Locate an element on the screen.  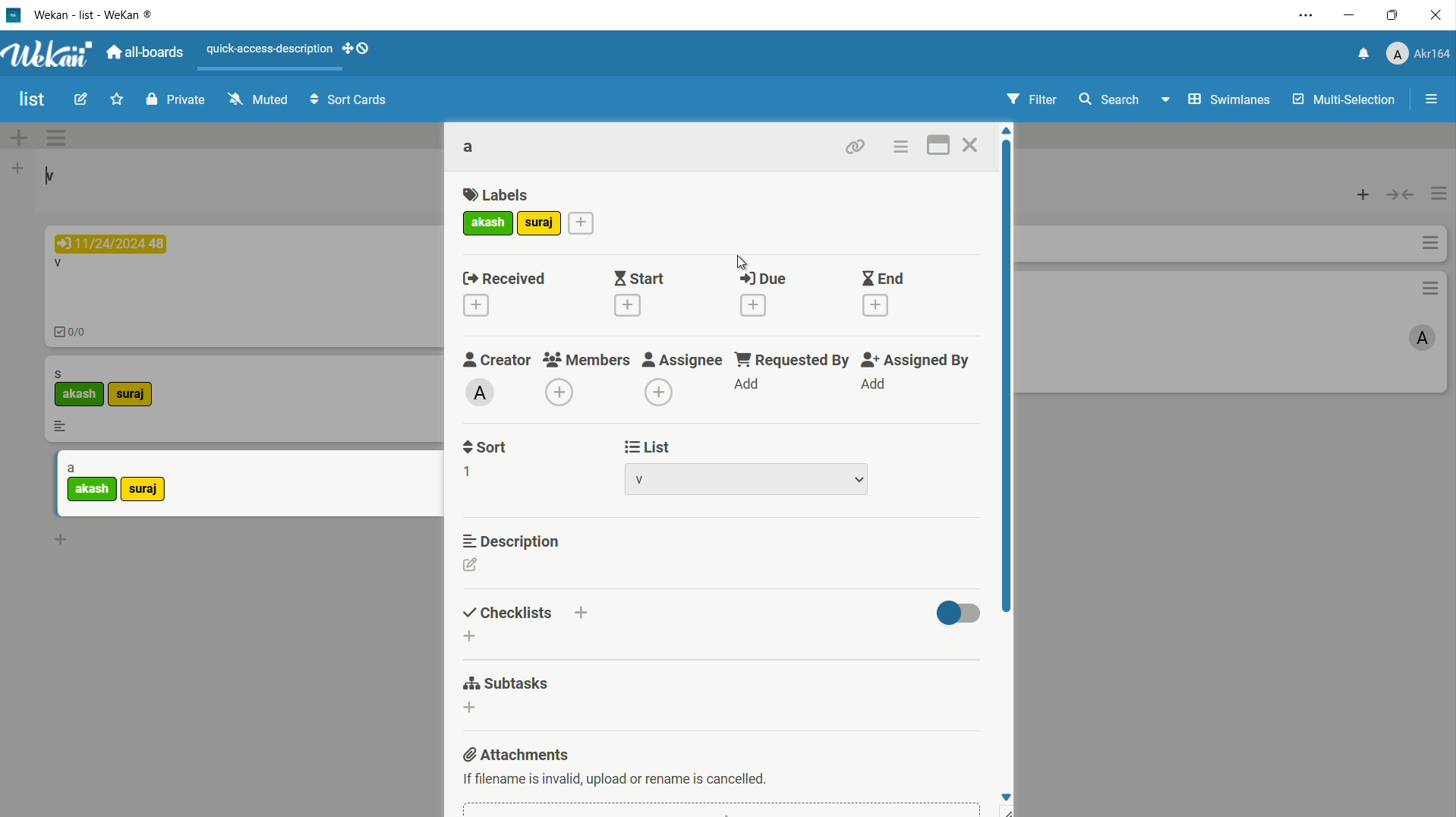
settings and more is located at coordinates (1303, 17).